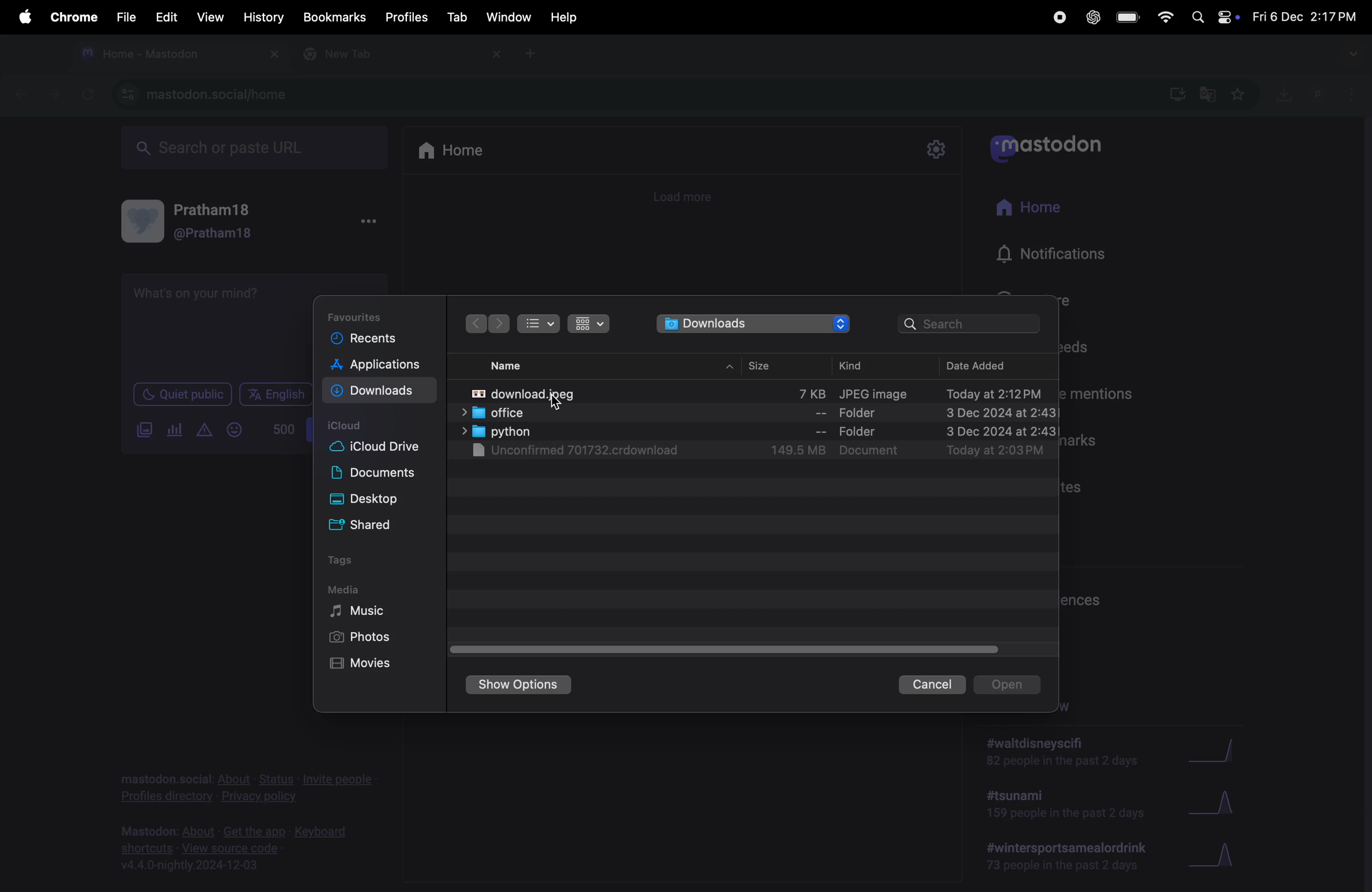 The width and height of the screenshot is (1372, 892). What do you see at coordinates (378, 366) in the screenshot?
I see `applications` at bounding box center [378, 366].